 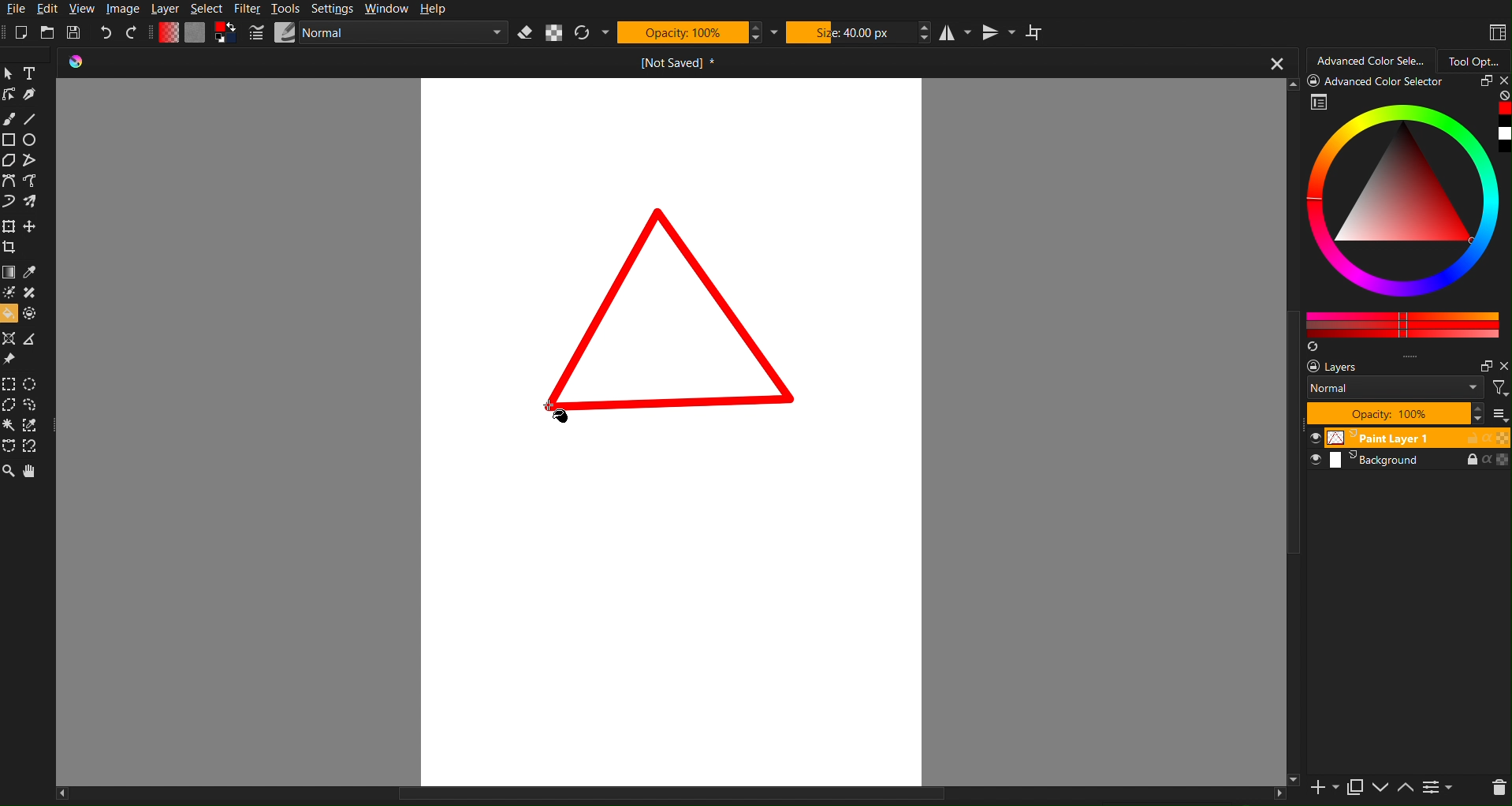 What do you see at coordinates (32, 202) in the screenshot?
I see `multibrush tool` at bounding box center [32, 202].